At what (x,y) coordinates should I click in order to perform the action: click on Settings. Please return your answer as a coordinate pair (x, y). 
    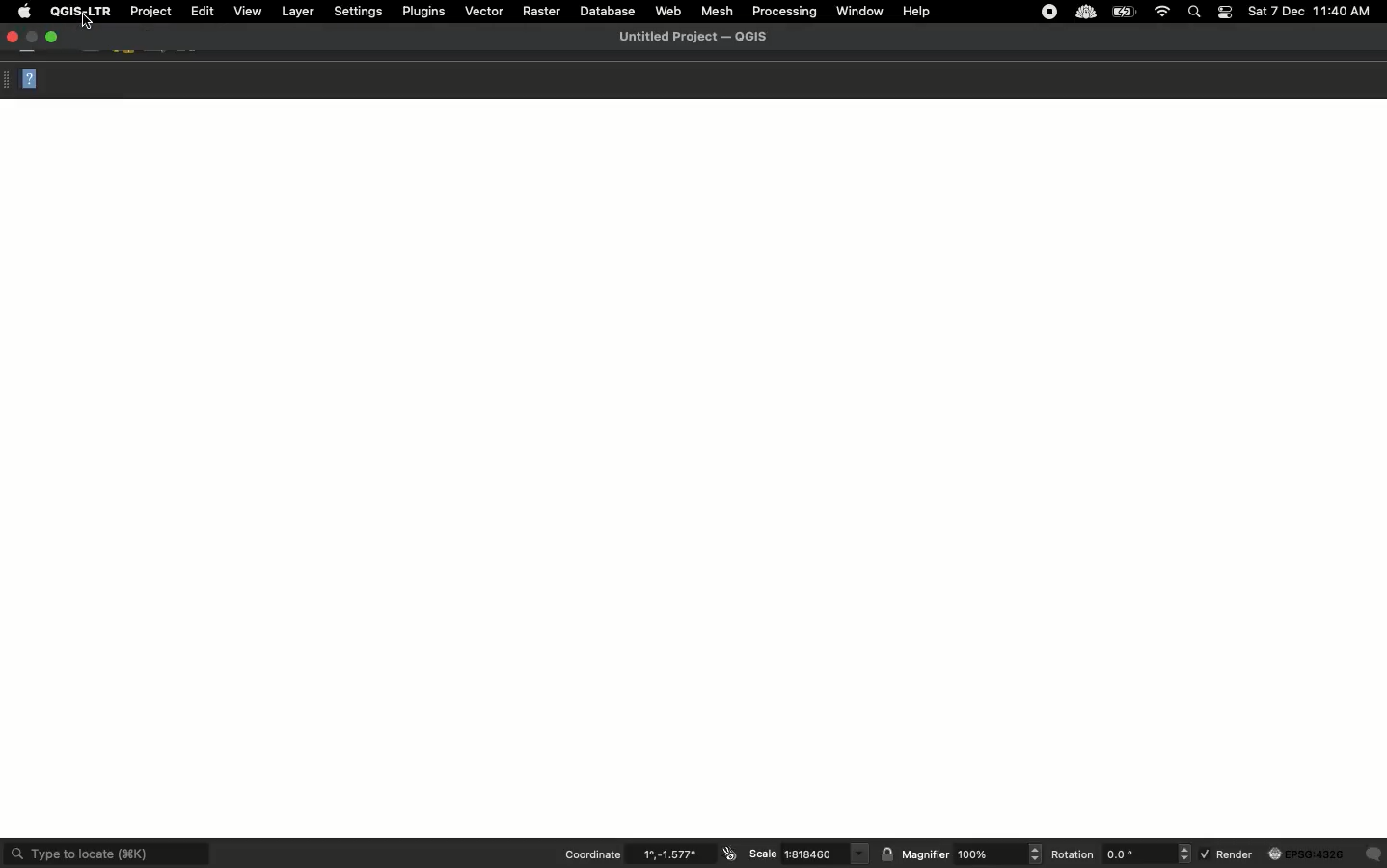
    Looking at the image, I should click on (360, 13).